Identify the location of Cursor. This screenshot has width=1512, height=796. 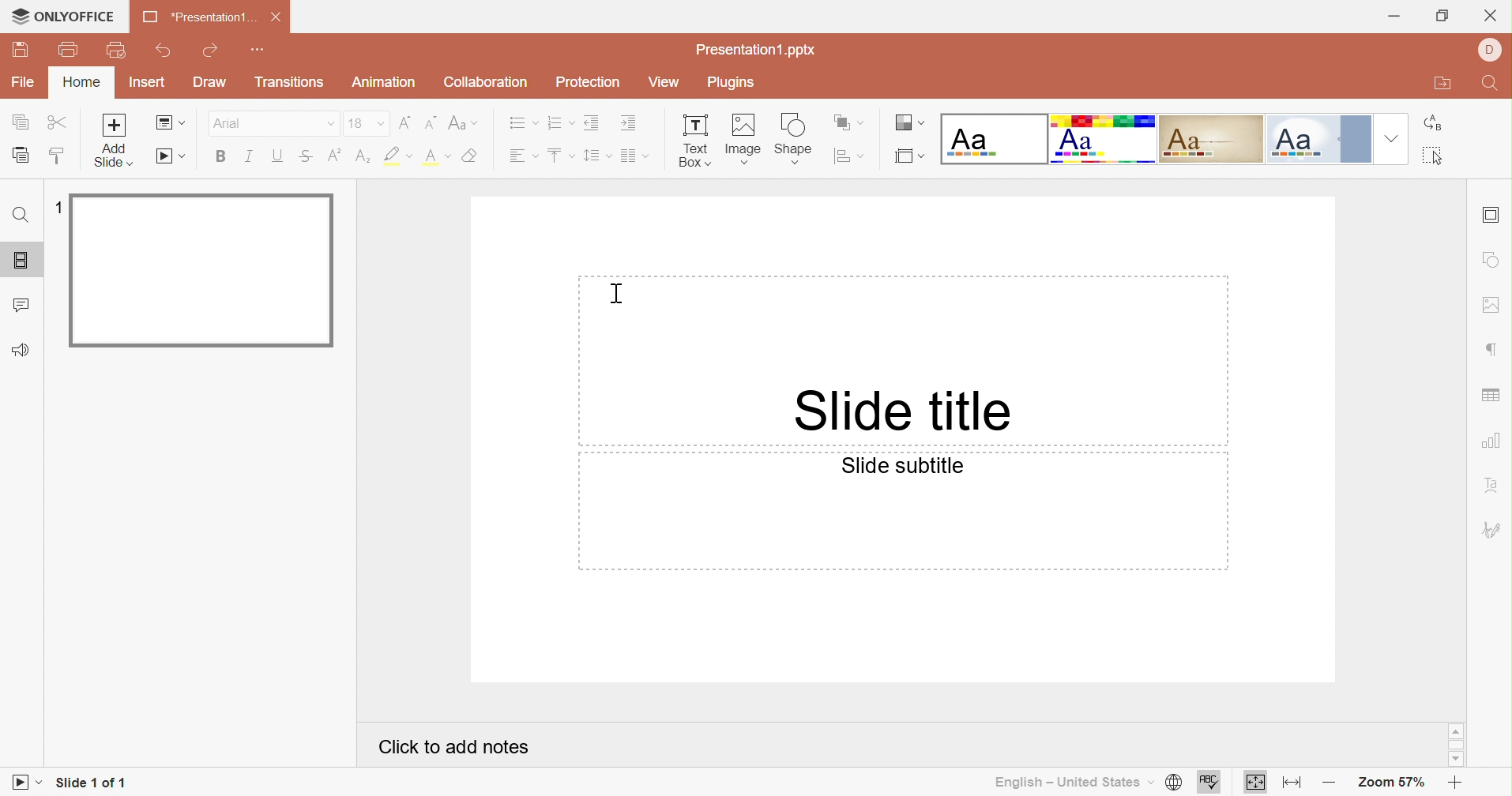
(615, 294).